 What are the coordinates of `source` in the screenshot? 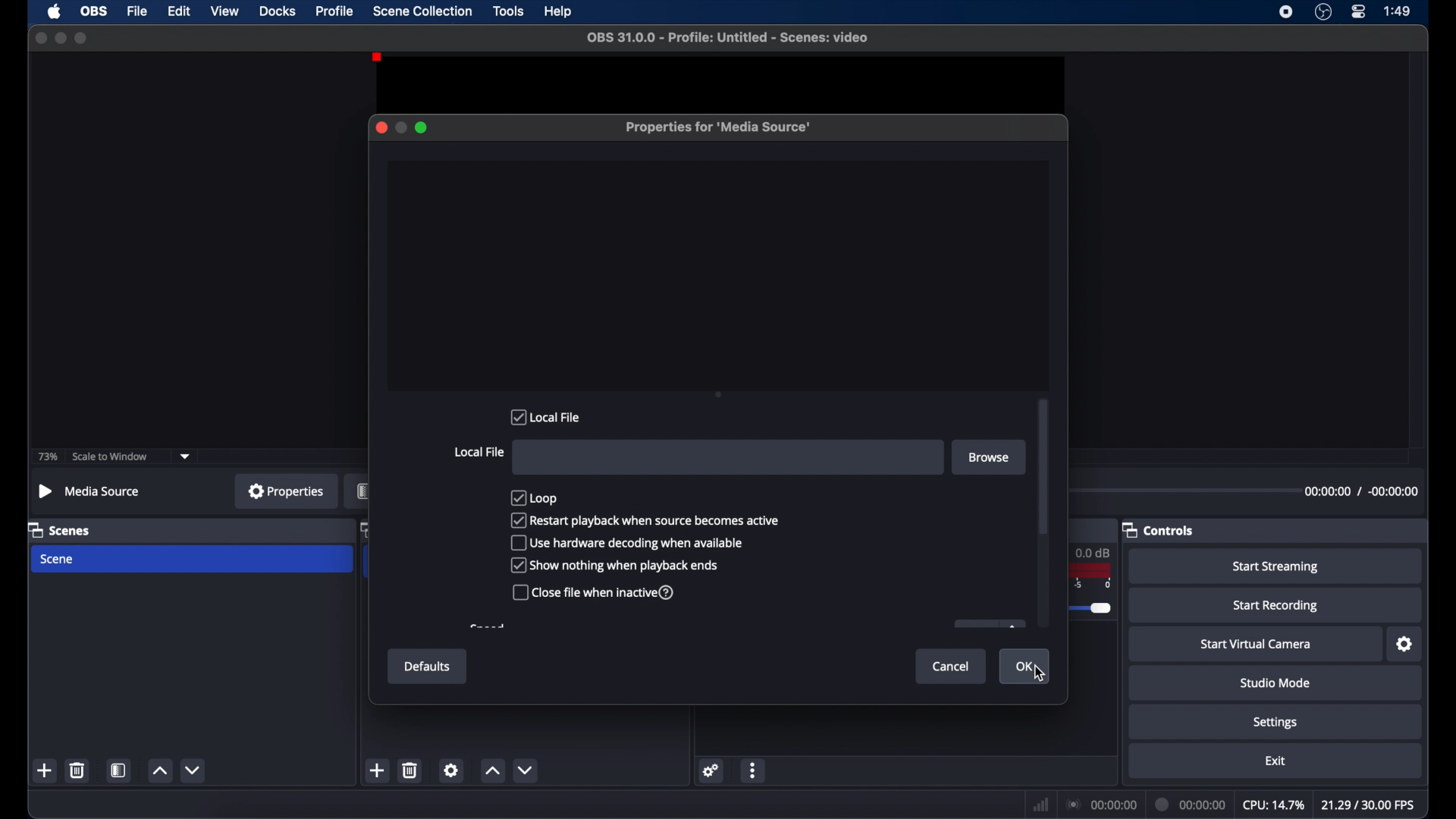 It's located at (357, 492).